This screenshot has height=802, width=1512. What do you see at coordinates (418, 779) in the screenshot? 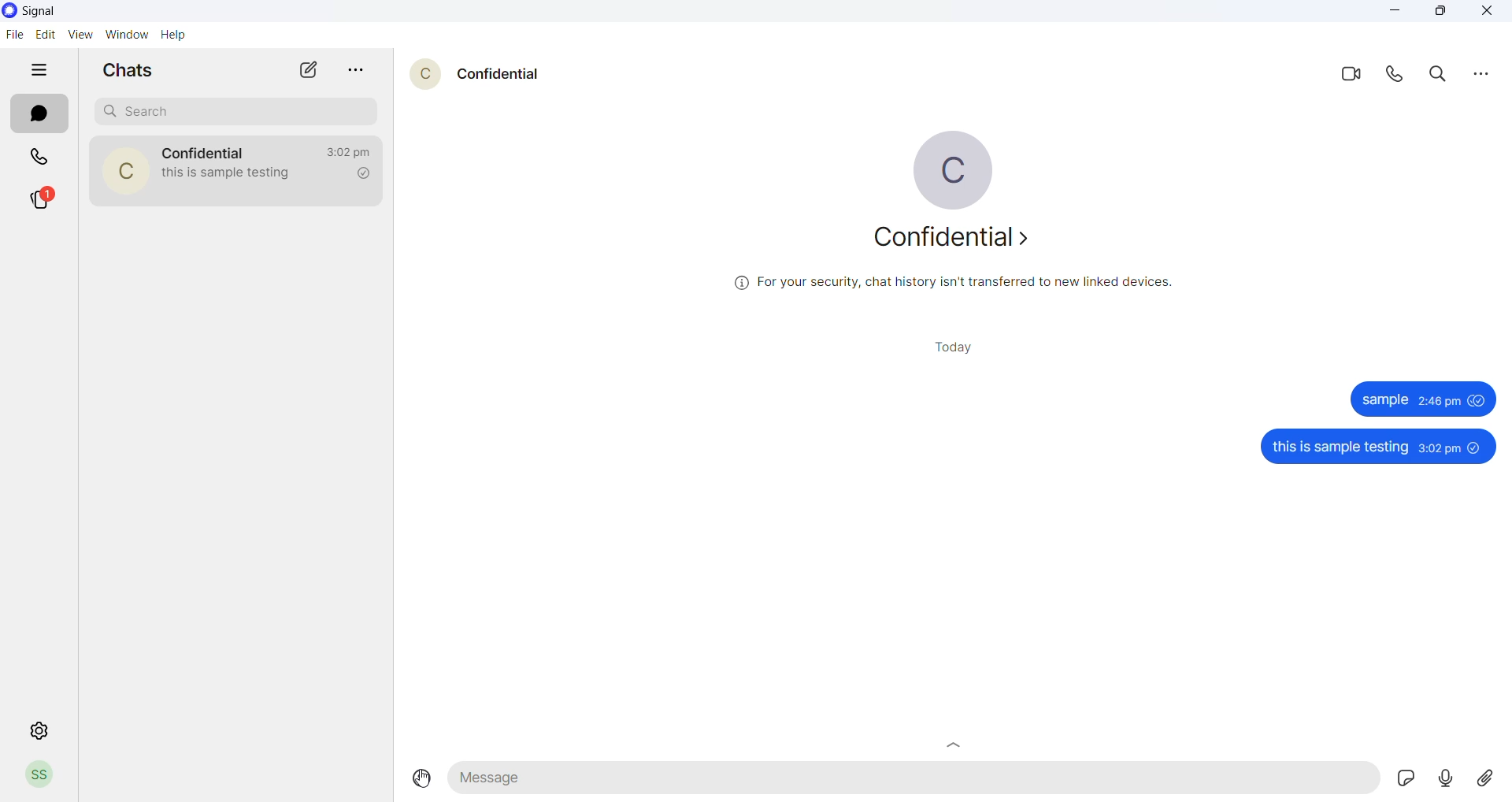
I see `emojis` at bounding box center [418, 779].